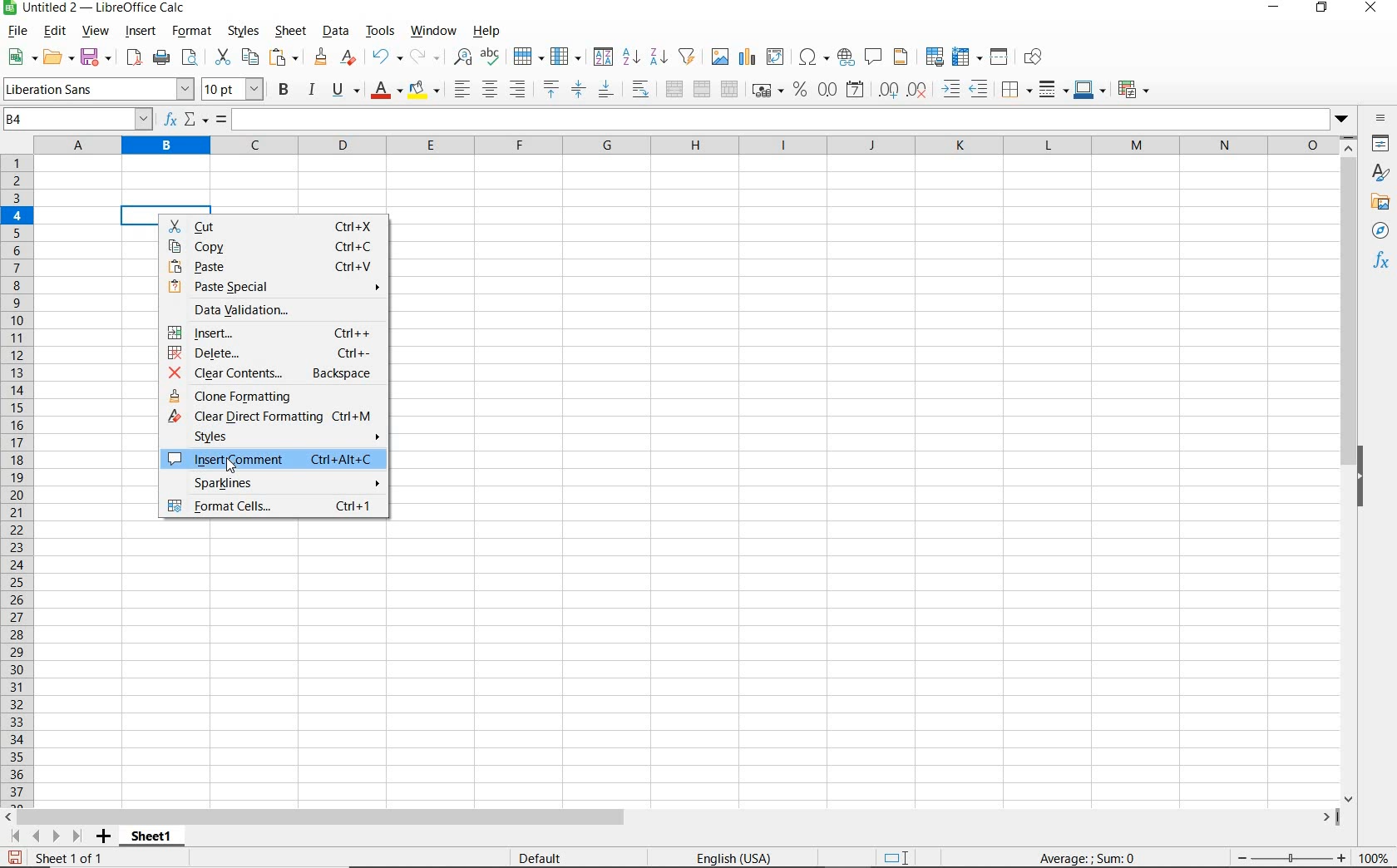 The height and width of the screenshot is (868, 1397). What do you see at coordinates (1054, 90) in the screenshot?
I see `border style` at bounding box center [1054, 90].